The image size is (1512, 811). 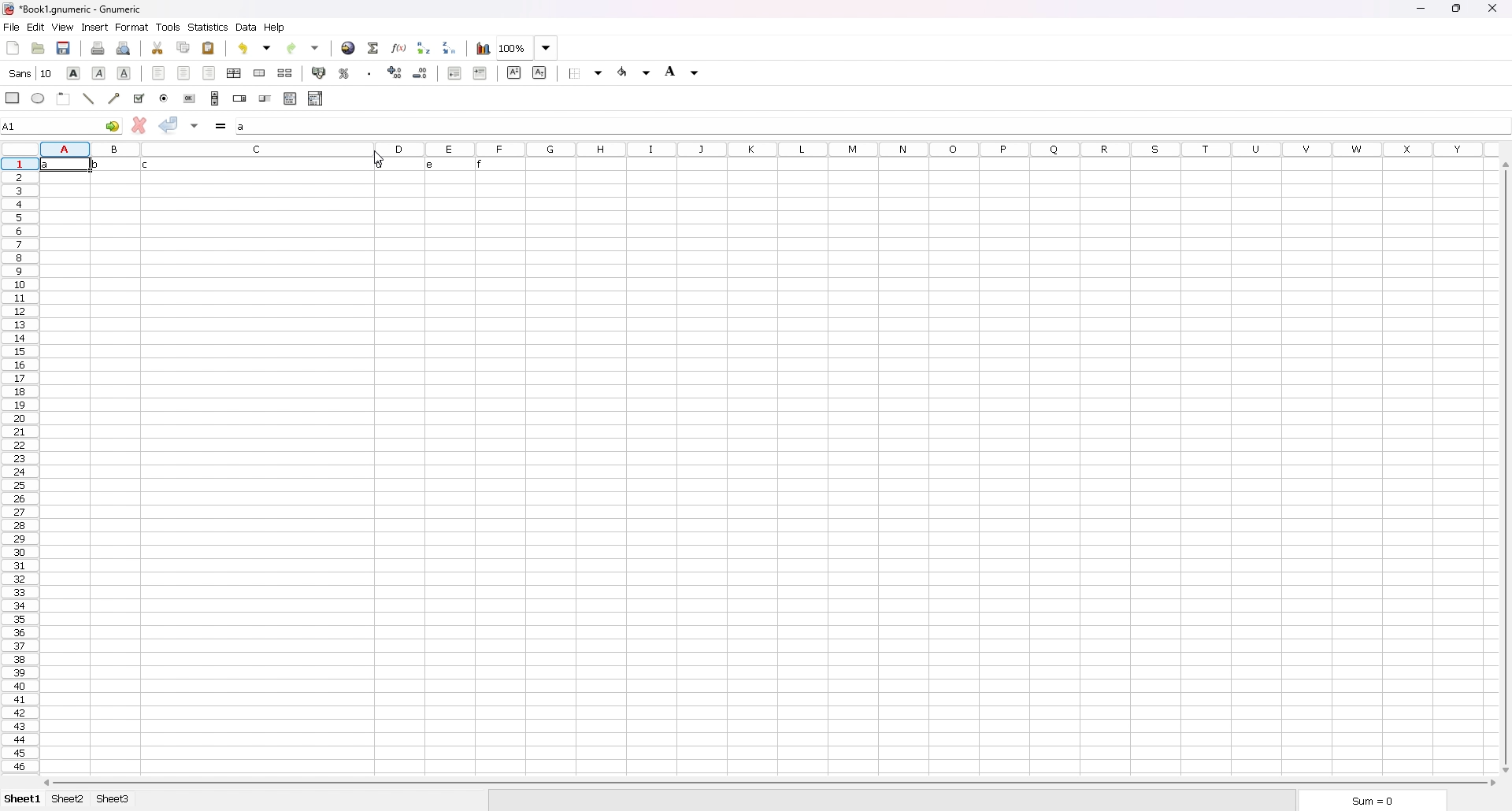 What do you see at coordinates (239, 98) in the screenshot?
I see `spin button` at bounding box center [239, 98].